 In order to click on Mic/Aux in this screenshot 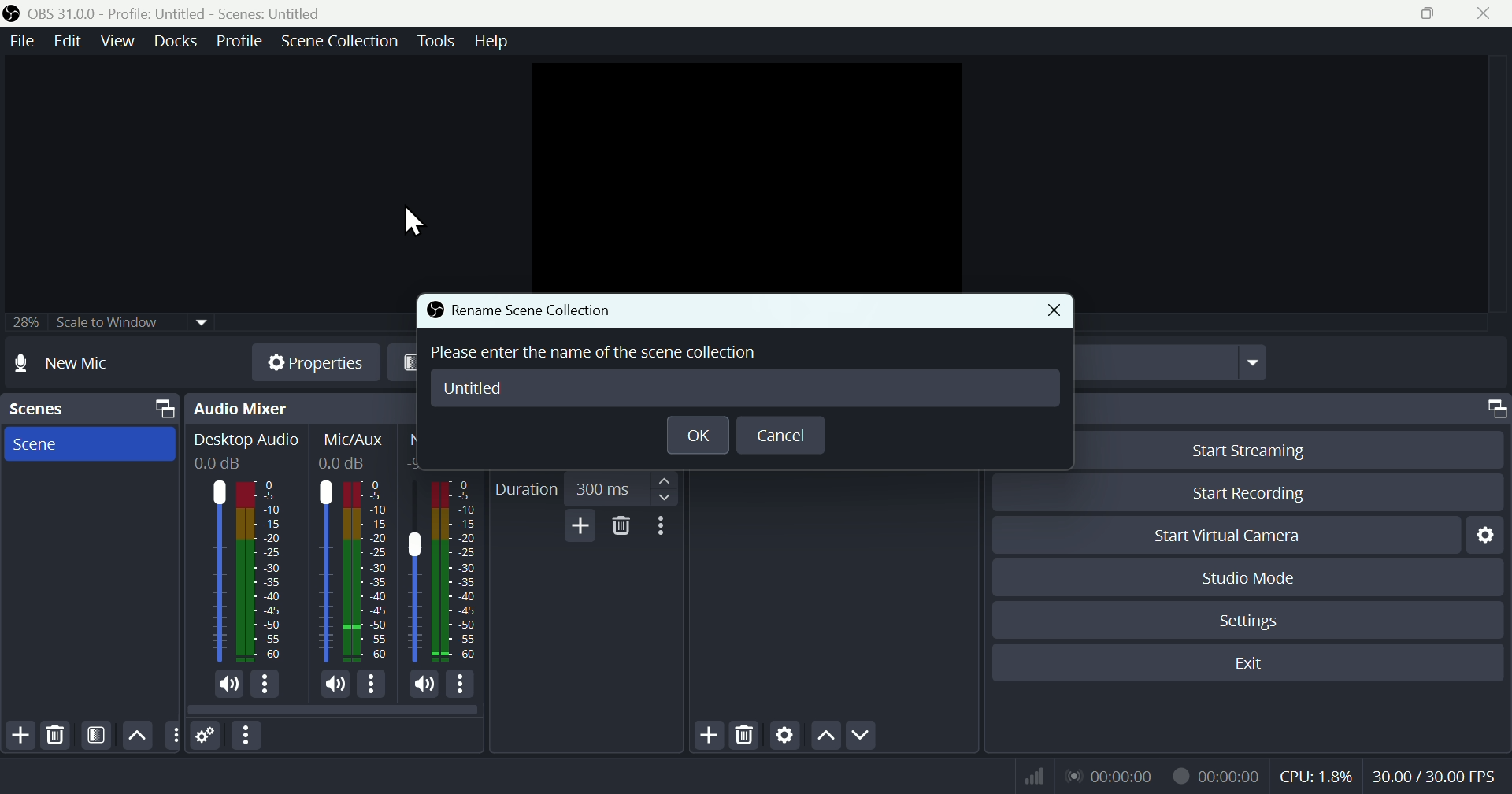, I will do `click(356, 440)`.